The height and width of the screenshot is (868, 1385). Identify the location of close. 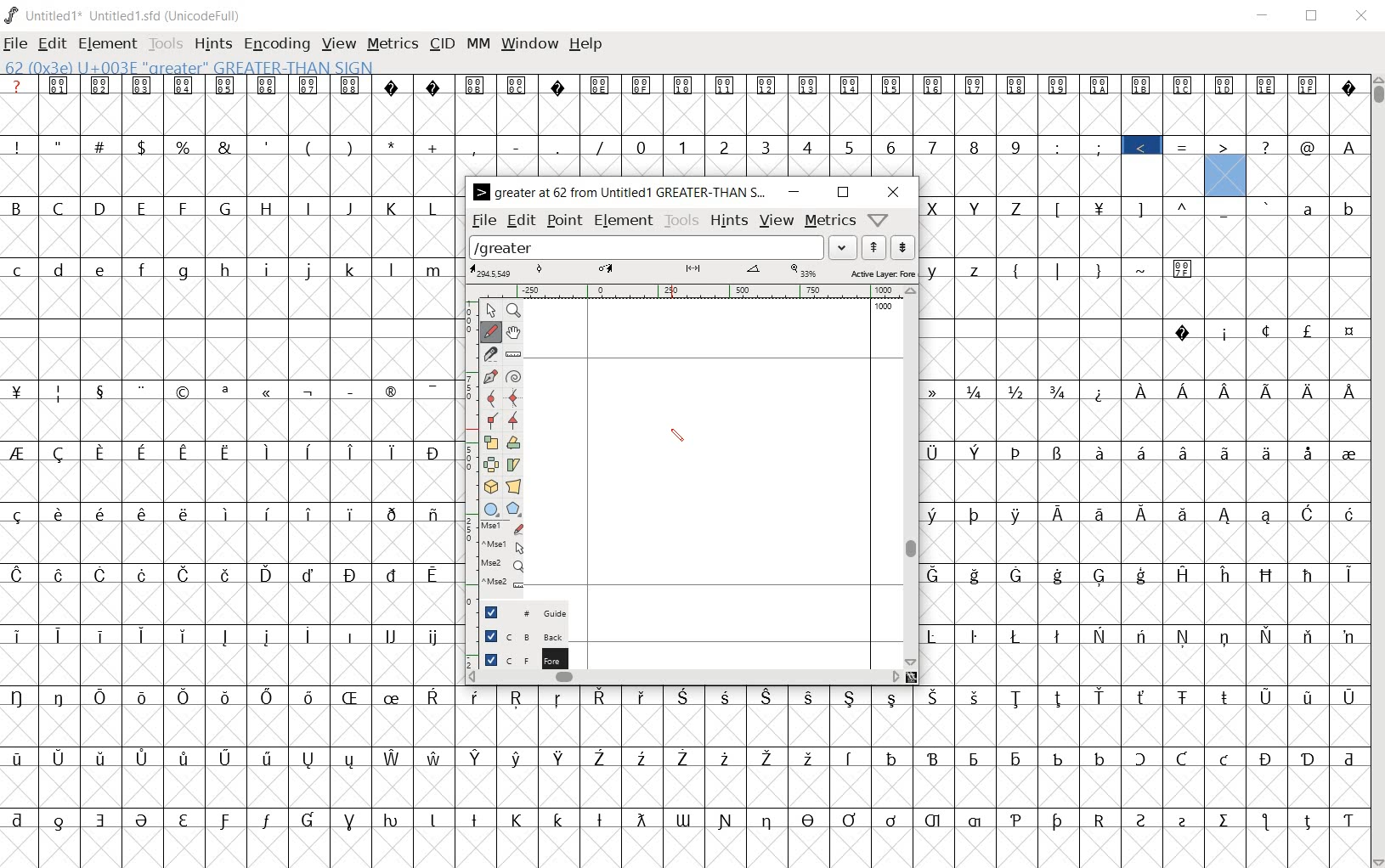
(895, 192).